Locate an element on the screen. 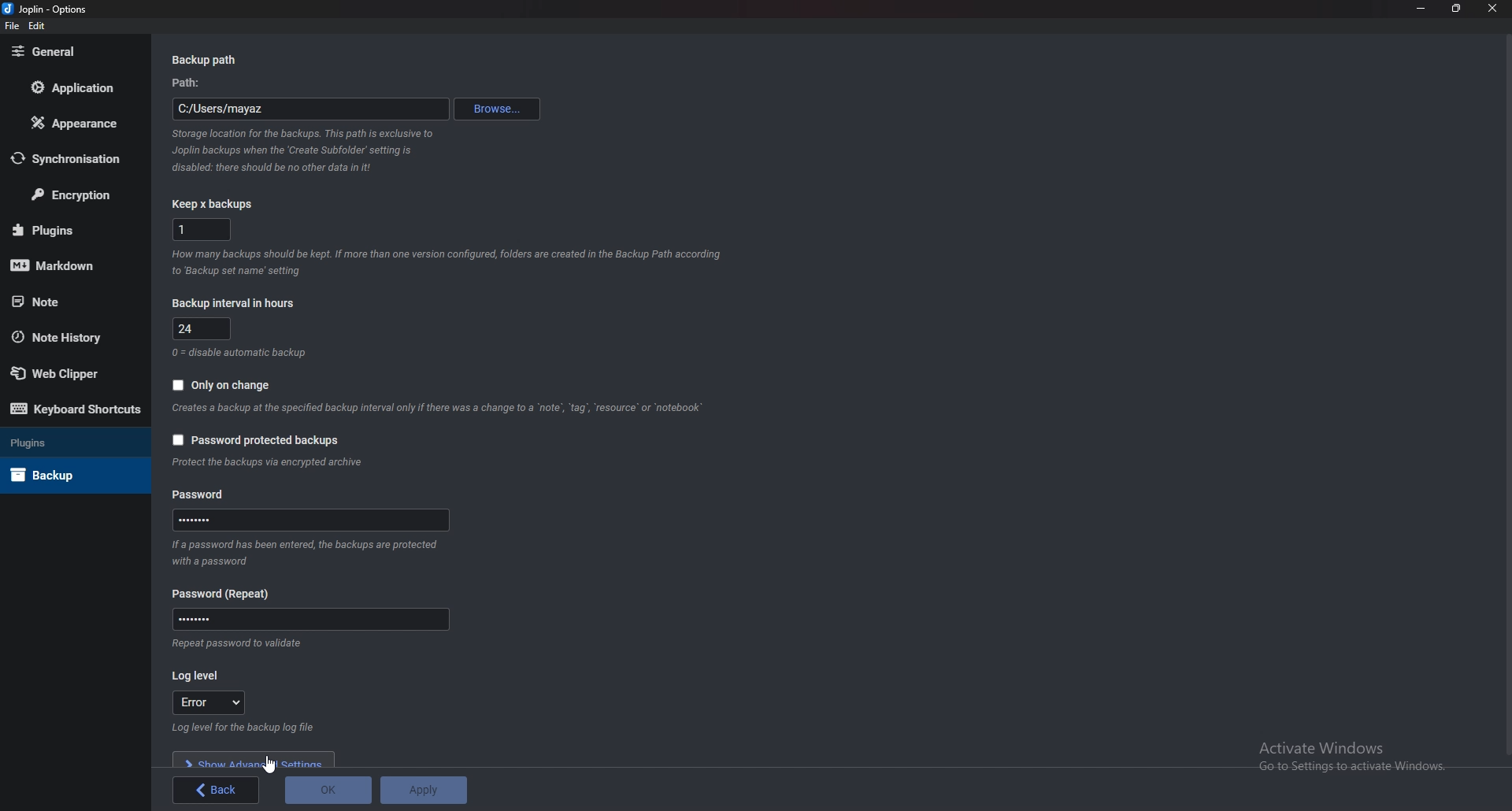 Image resolution: width=1512 pixels, height=811 pixels. Note history is located at coordinates (67, 339).